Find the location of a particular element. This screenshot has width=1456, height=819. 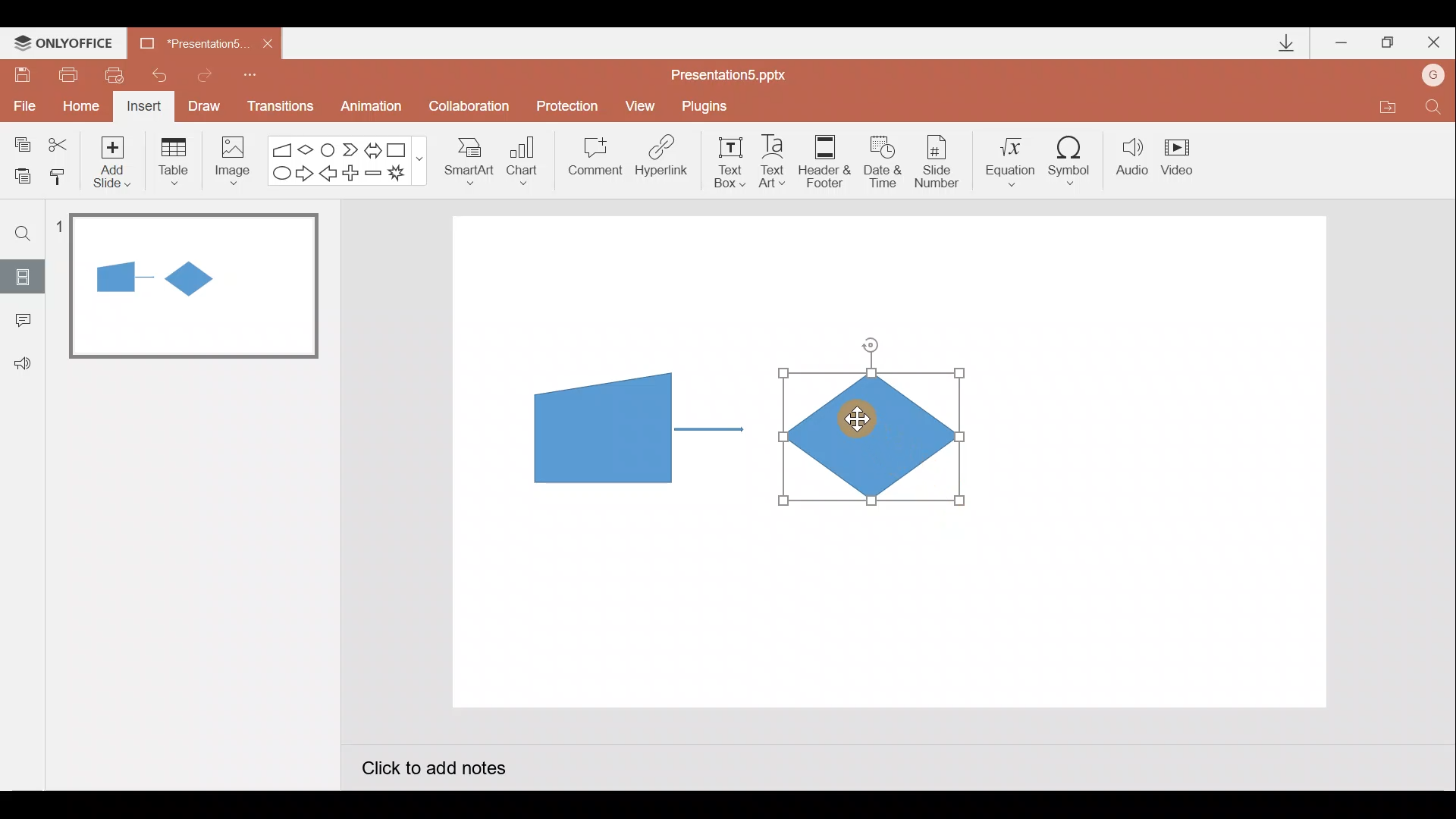

Add slide is located at coordinates (115, 158).